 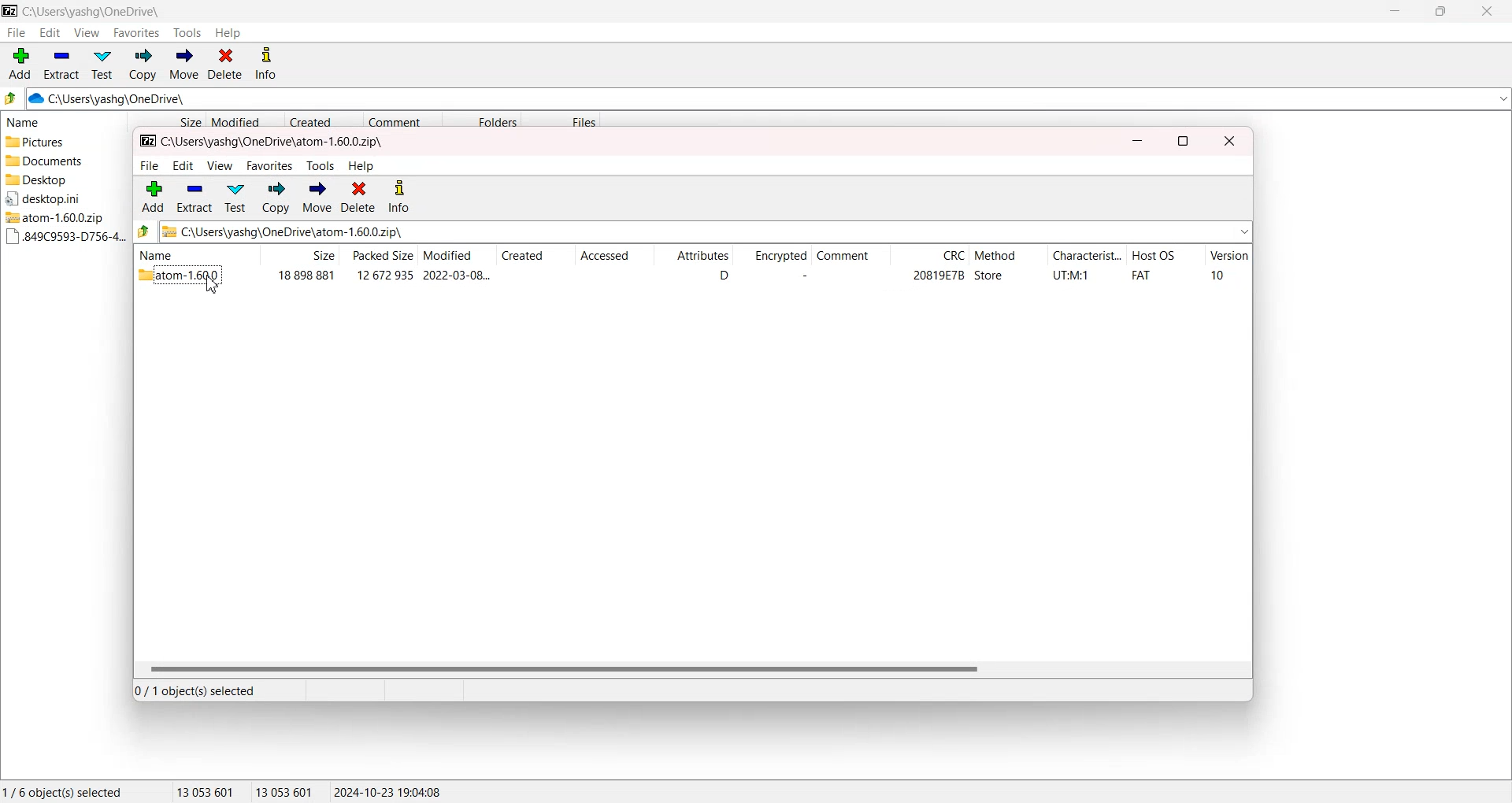 What do you see at coordinates (60, 179) in the screenshot?
I see `Desktop File` at bounding box center [60, 179].